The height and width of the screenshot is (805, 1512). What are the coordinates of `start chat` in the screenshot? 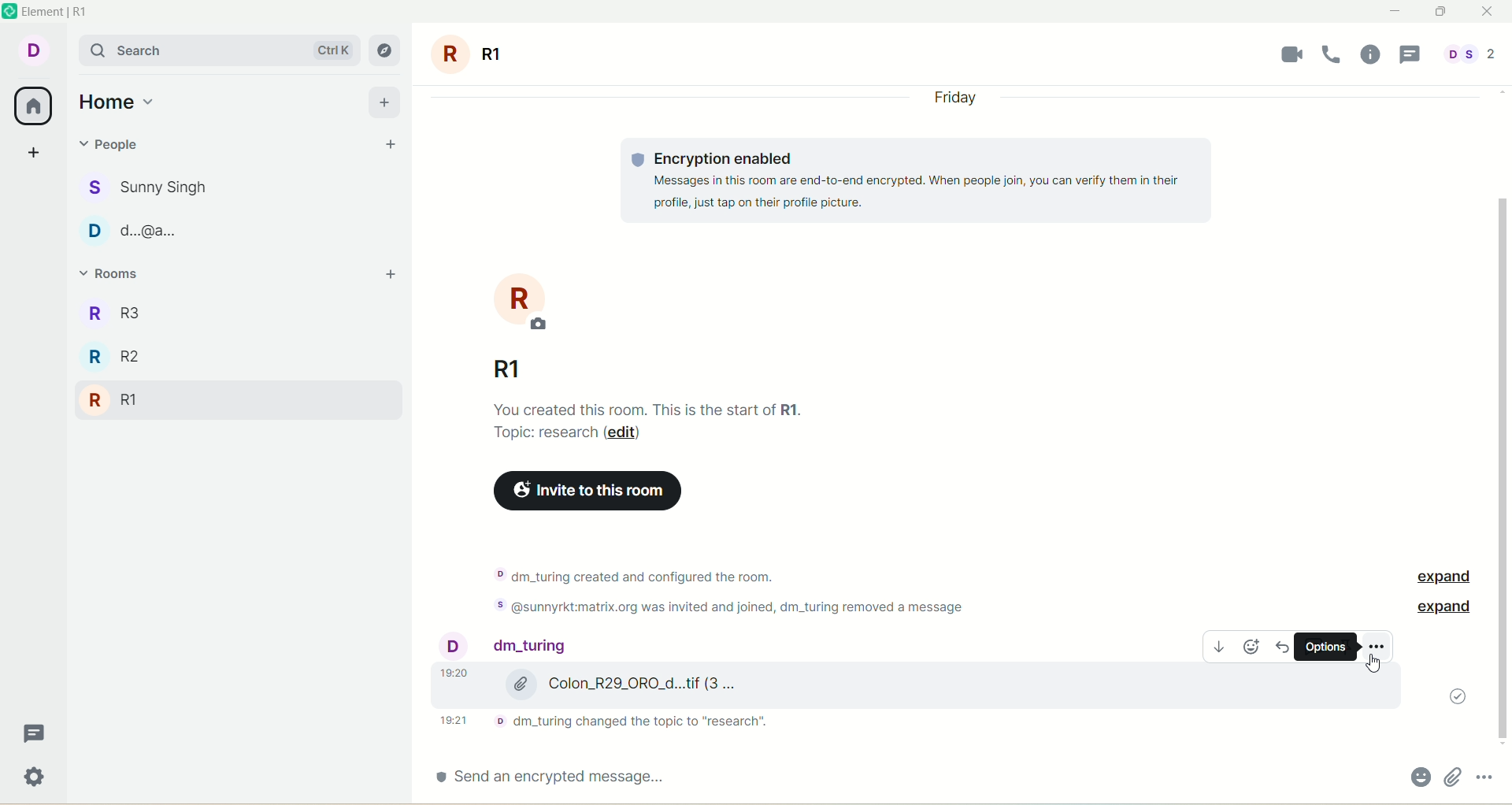 It's located at (388, 146).